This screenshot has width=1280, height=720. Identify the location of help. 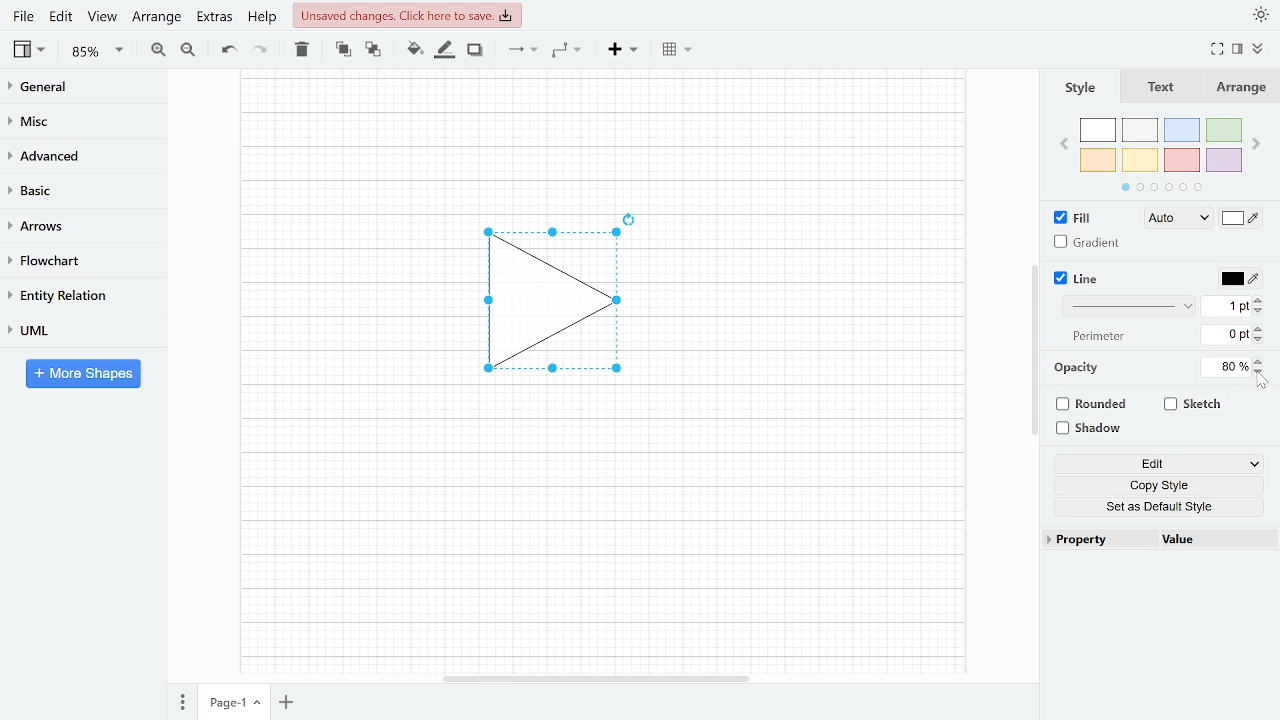
(264, 16).